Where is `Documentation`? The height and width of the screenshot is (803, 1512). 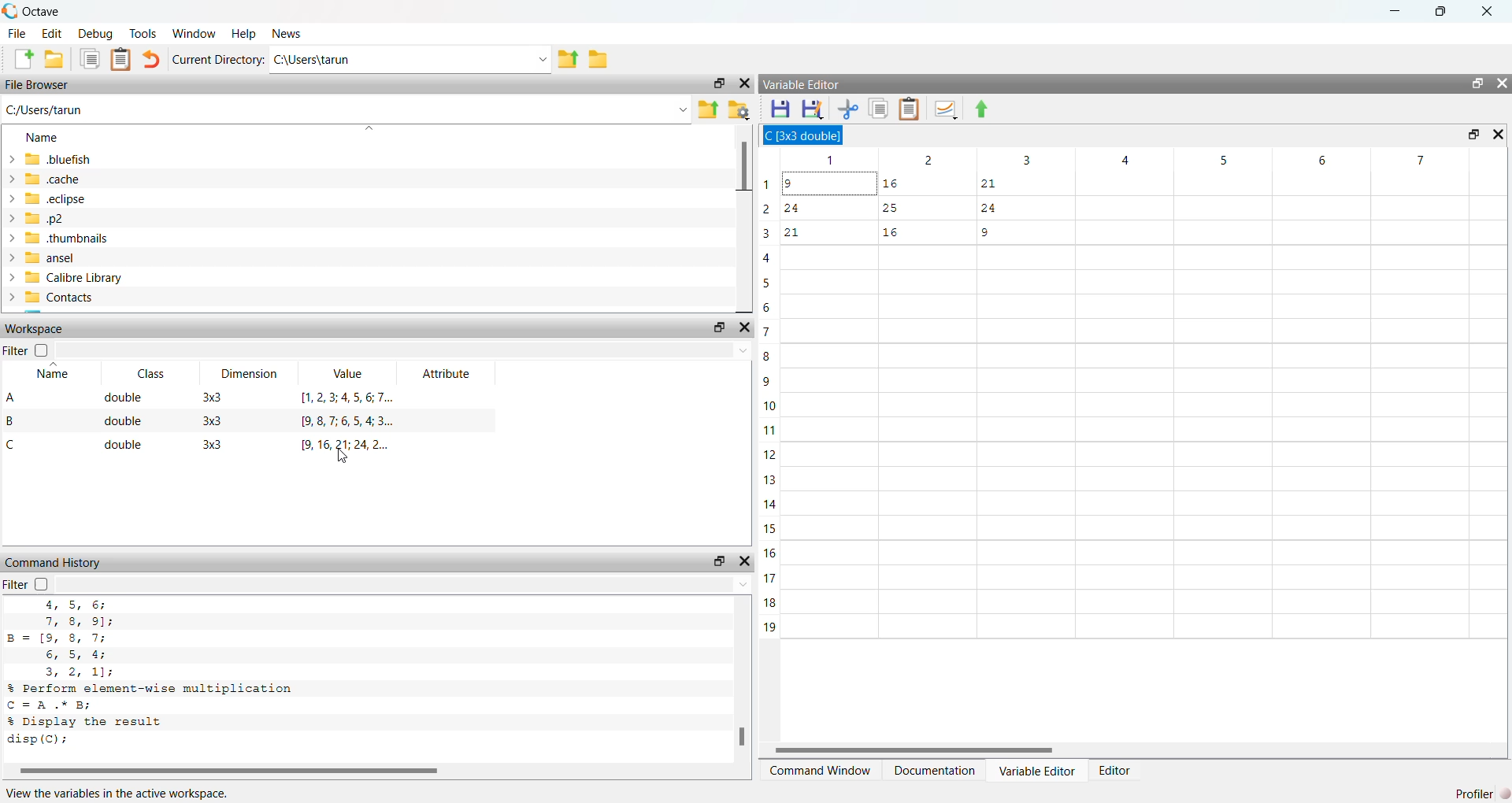
Documentation is located at coordinates (936, 772).